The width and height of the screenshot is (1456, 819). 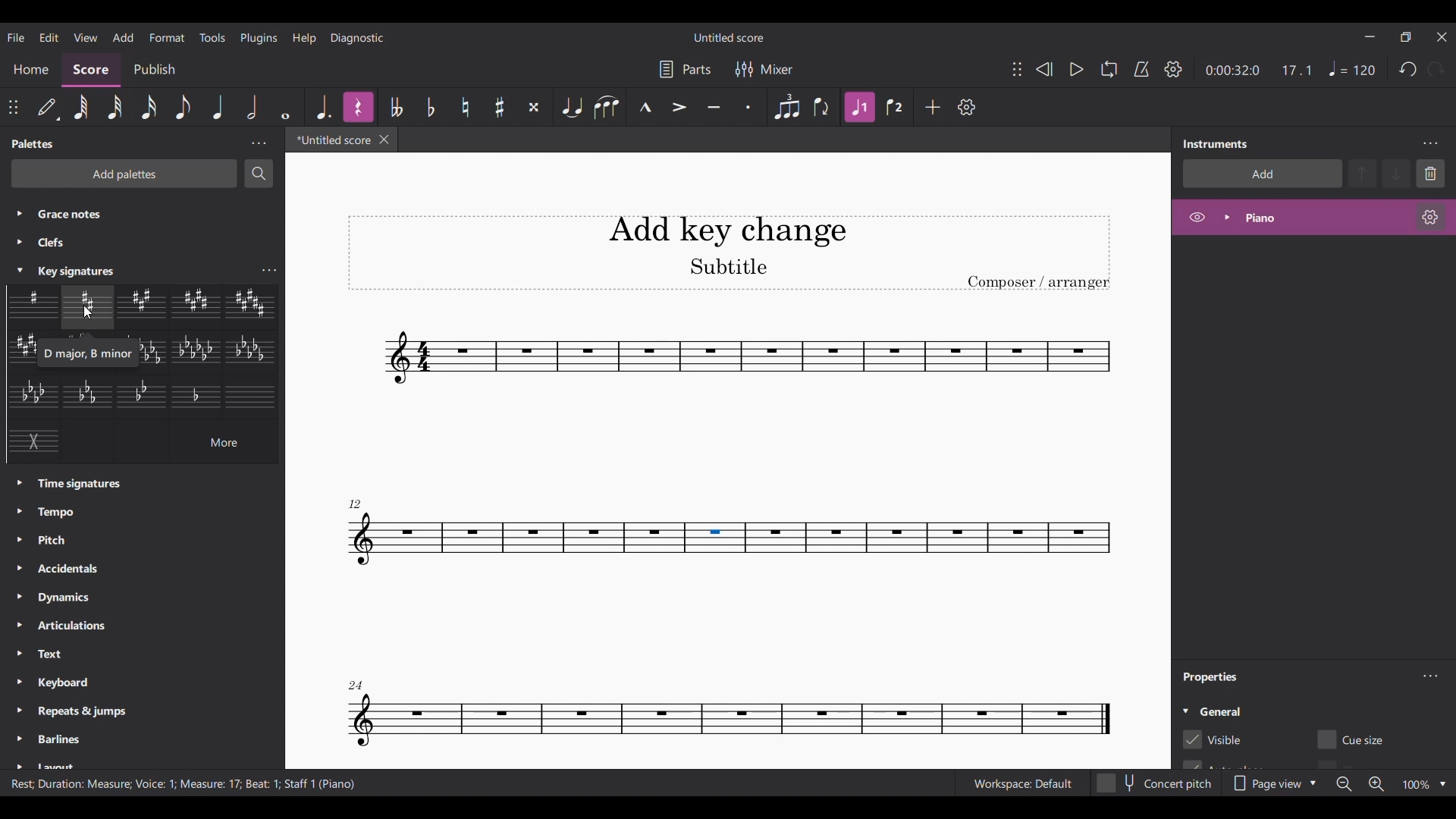 I want to click on Workspace: default, so click(x=1022, y=784).